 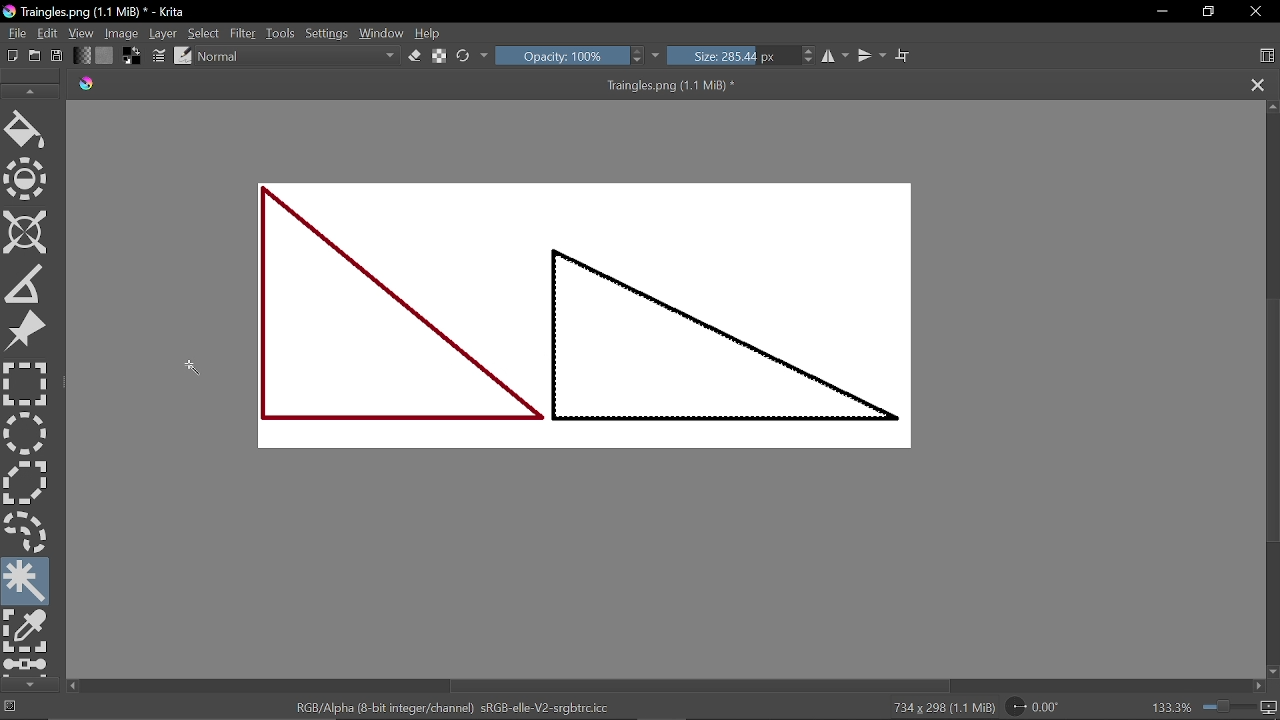 I want to click on Restore down, so click(x=1208, y=11).